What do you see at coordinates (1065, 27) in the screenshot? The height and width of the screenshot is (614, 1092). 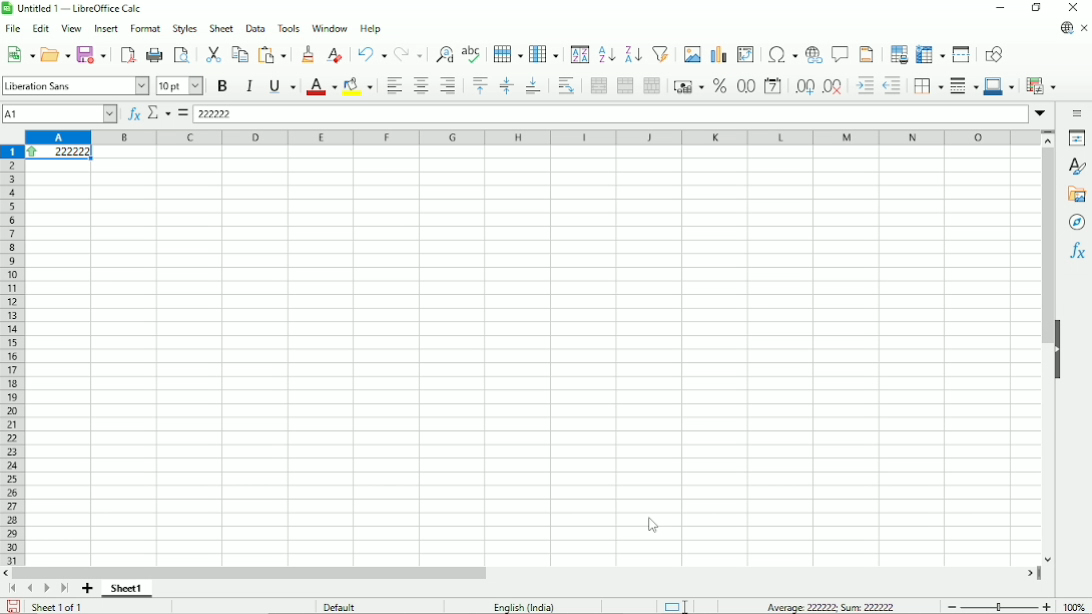 I see `Update available` at bounding box center [1065, 27].